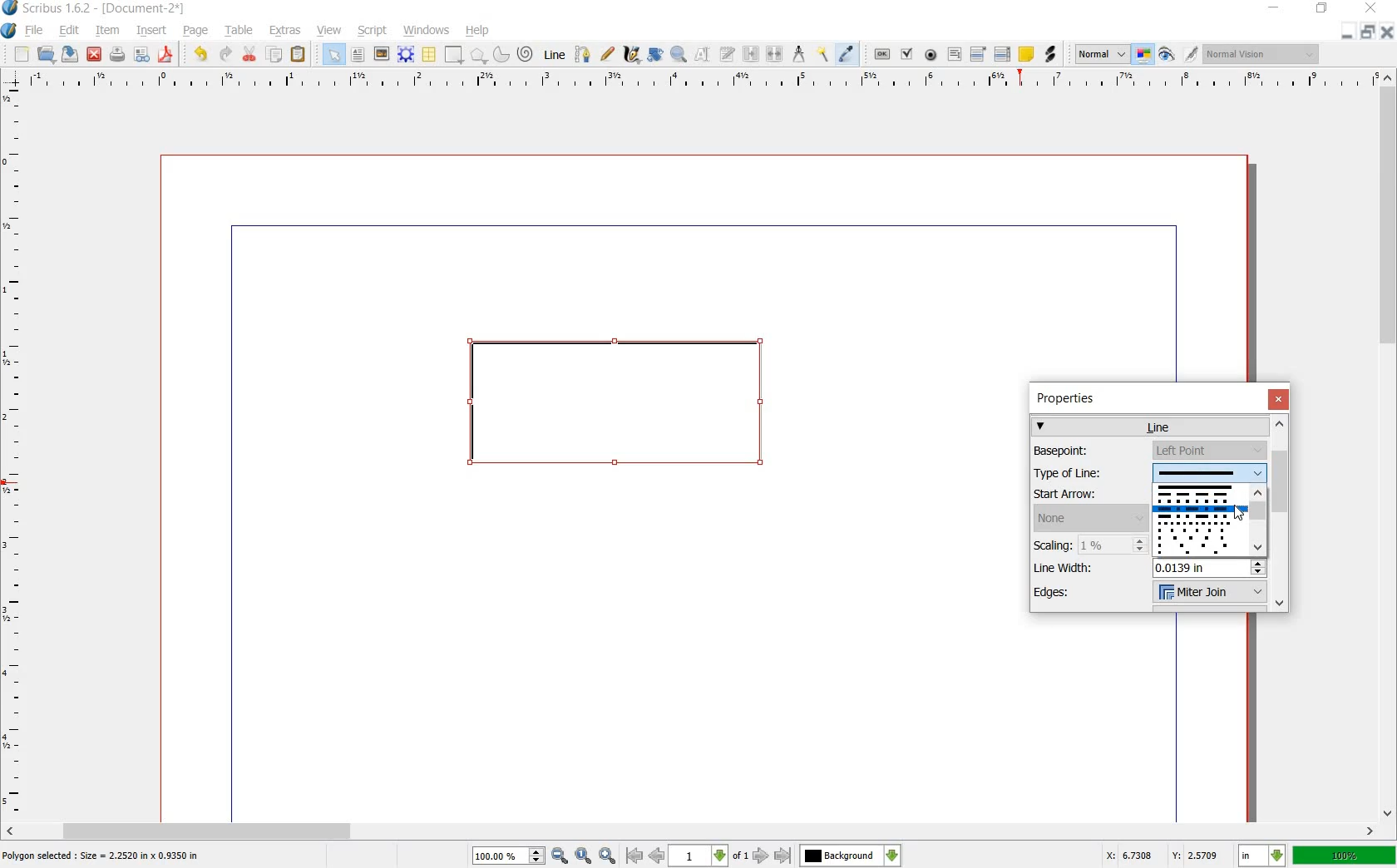  What do you see at coordinates (1197, 520) in the screenshot?
I see `line styles` at bounding box center [1197, 520].